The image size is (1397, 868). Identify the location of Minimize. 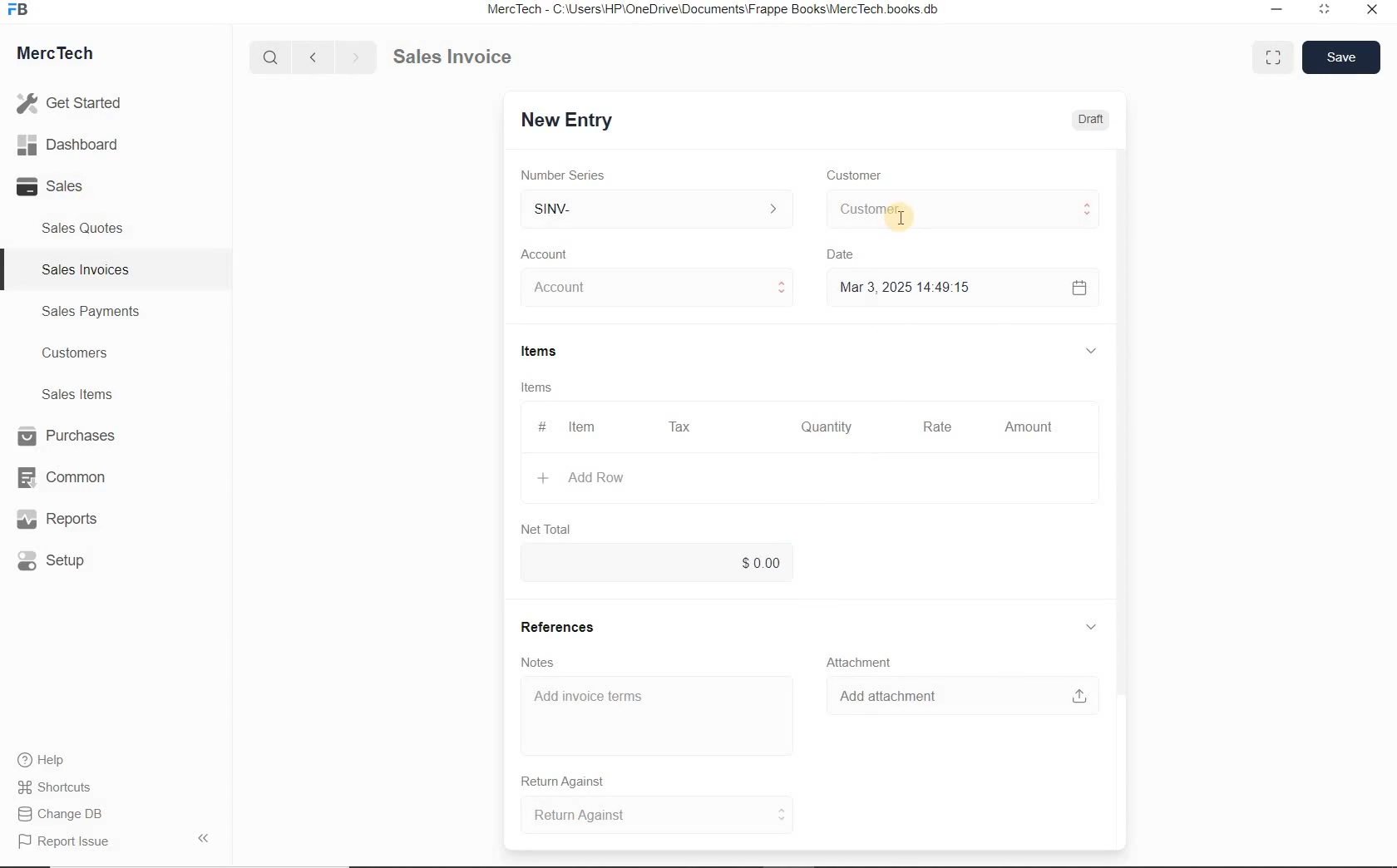
(1276, 12).